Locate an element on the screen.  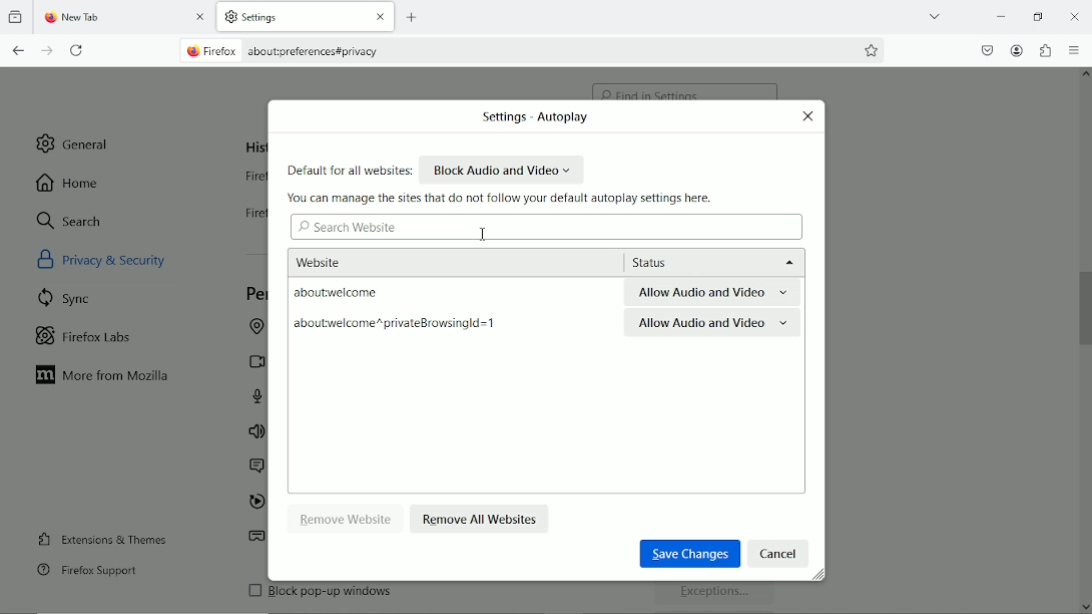
go forward is located at coordinates (48, 51).